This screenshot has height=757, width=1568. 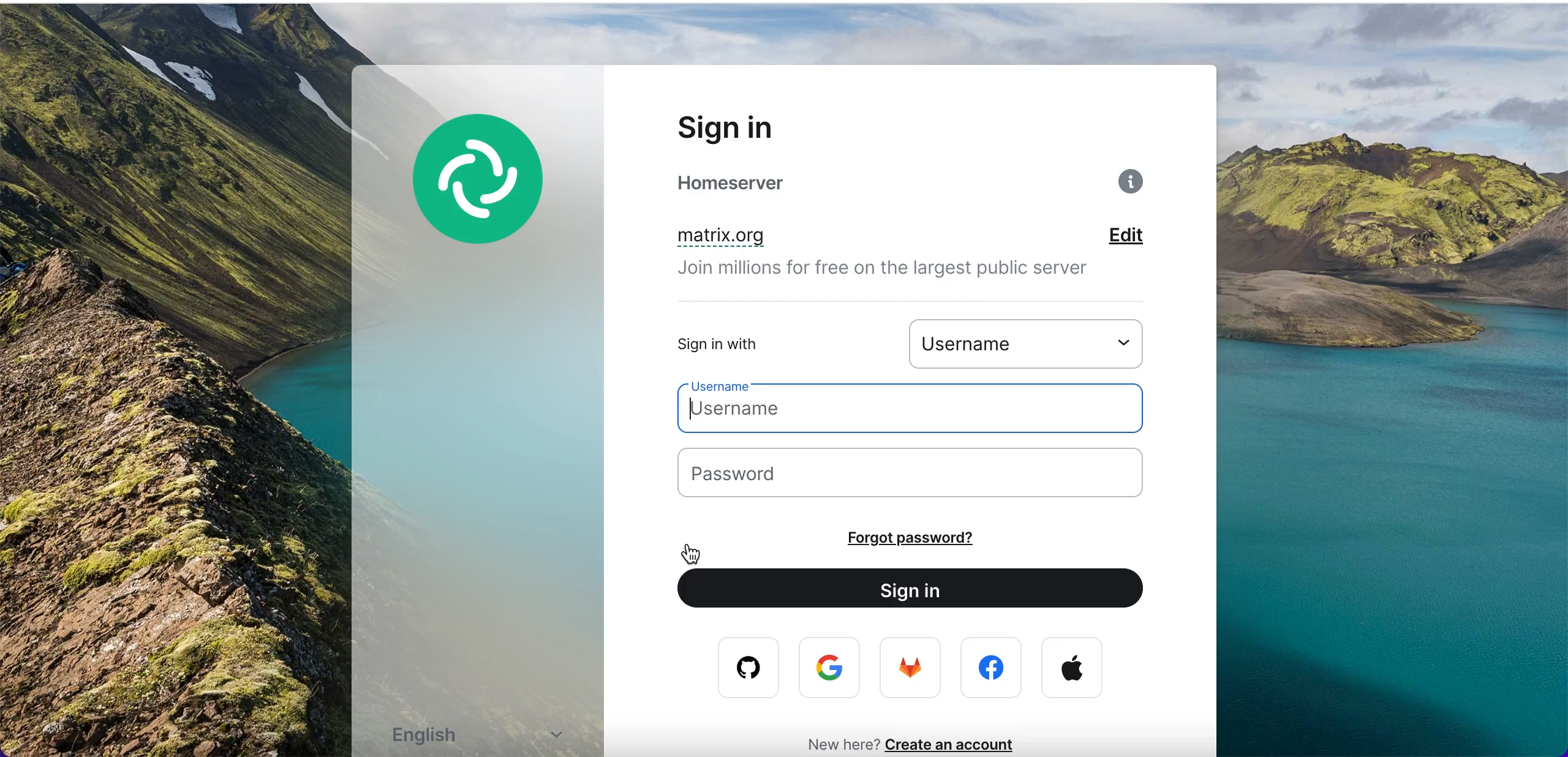 I want to click on facebook logo, so click(x=994, y=668).